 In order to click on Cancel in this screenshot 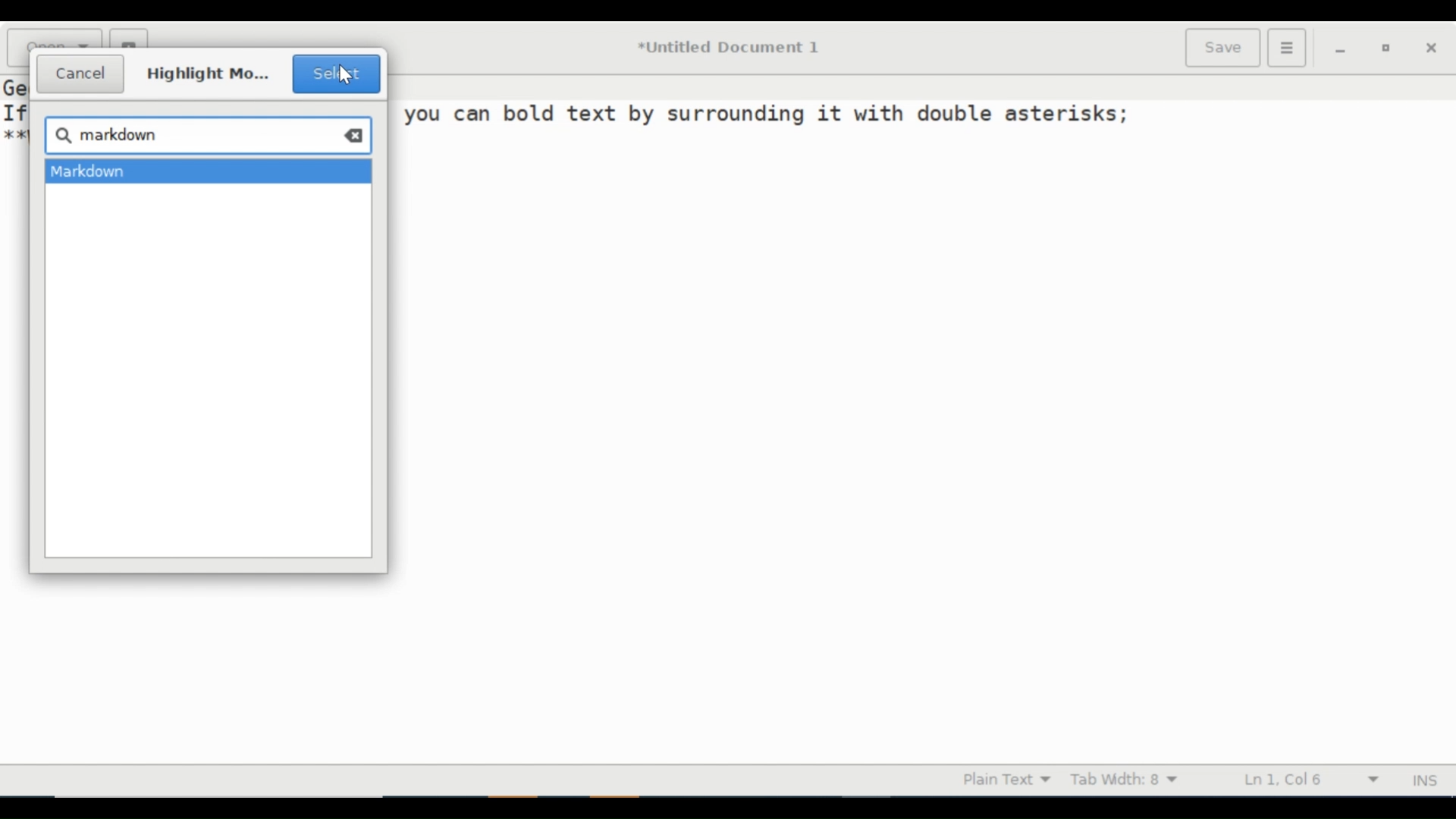, I will do `click(81, 74)`.